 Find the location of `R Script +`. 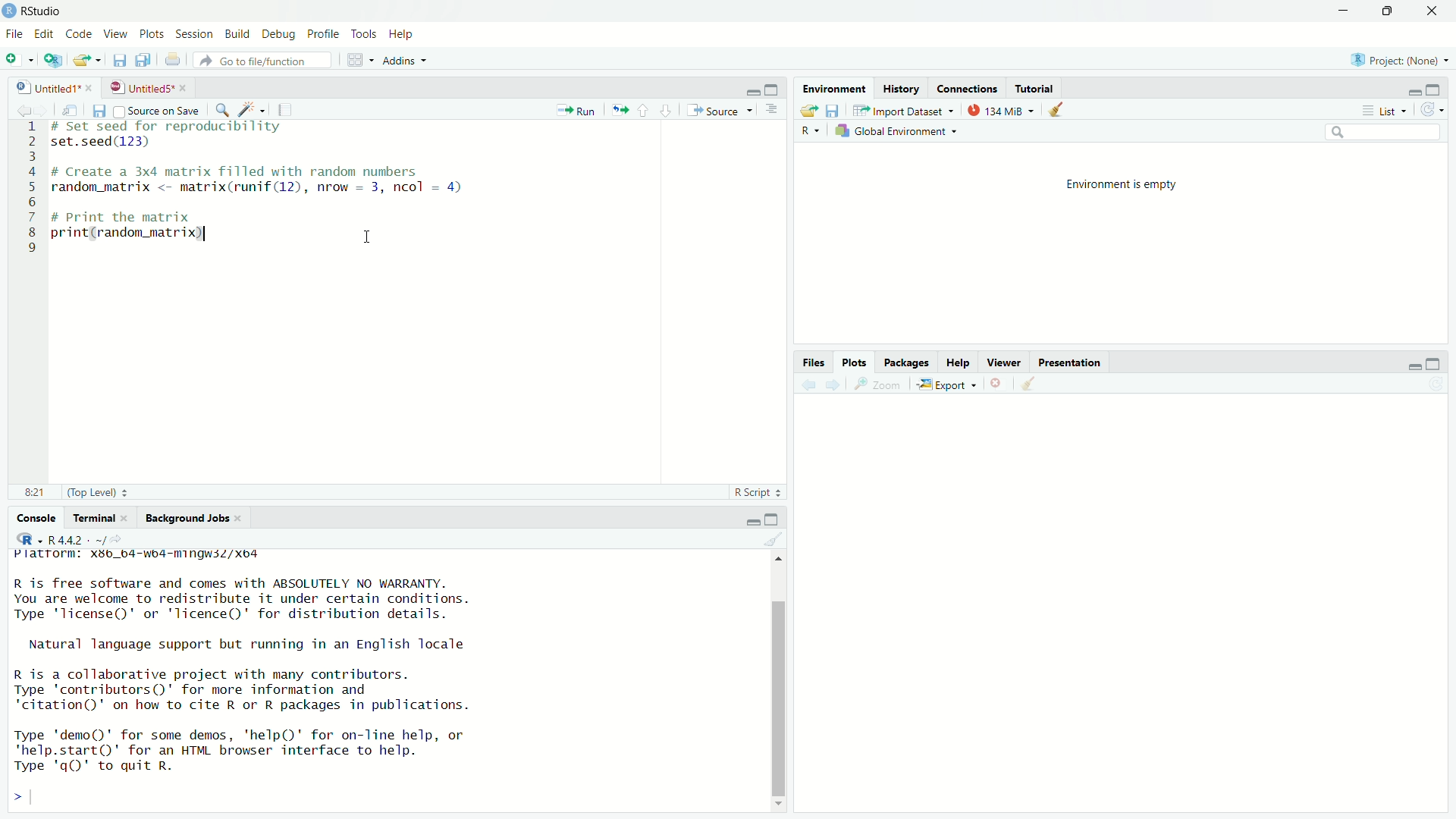

R Script + is located at coordinates (755, 491).